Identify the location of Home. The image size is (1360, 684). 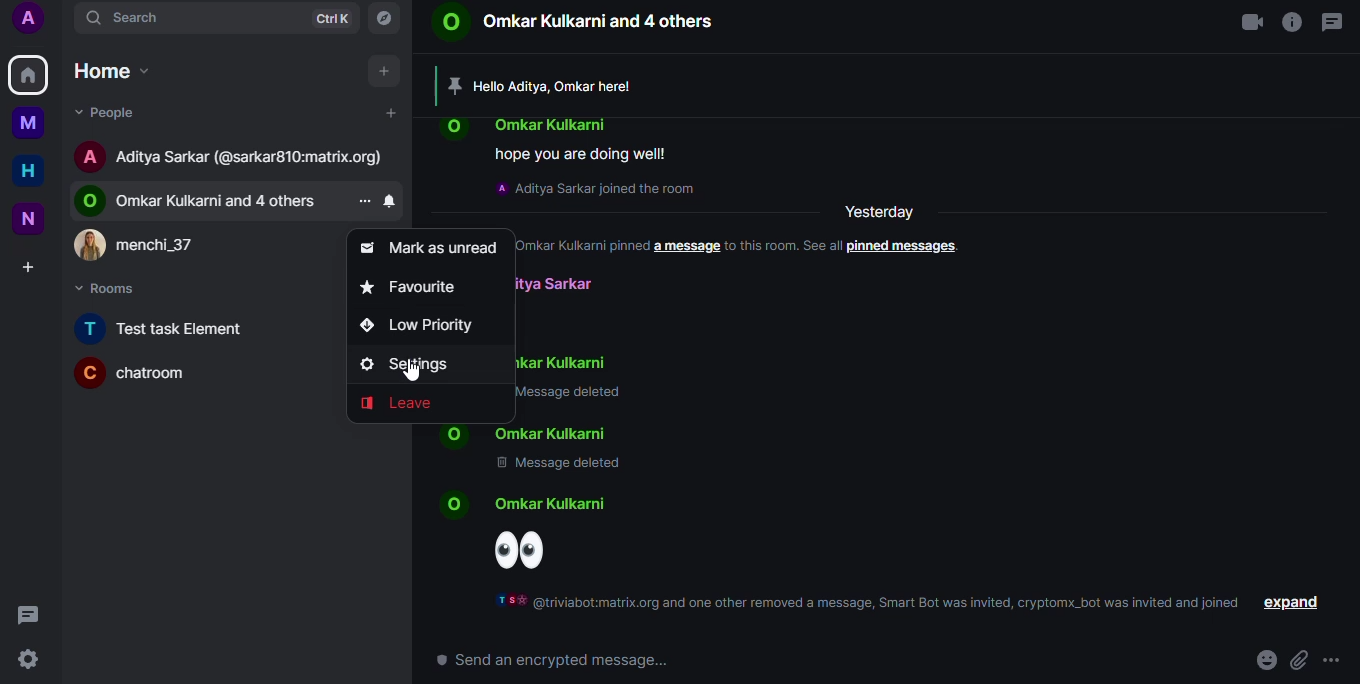
(114, 70).